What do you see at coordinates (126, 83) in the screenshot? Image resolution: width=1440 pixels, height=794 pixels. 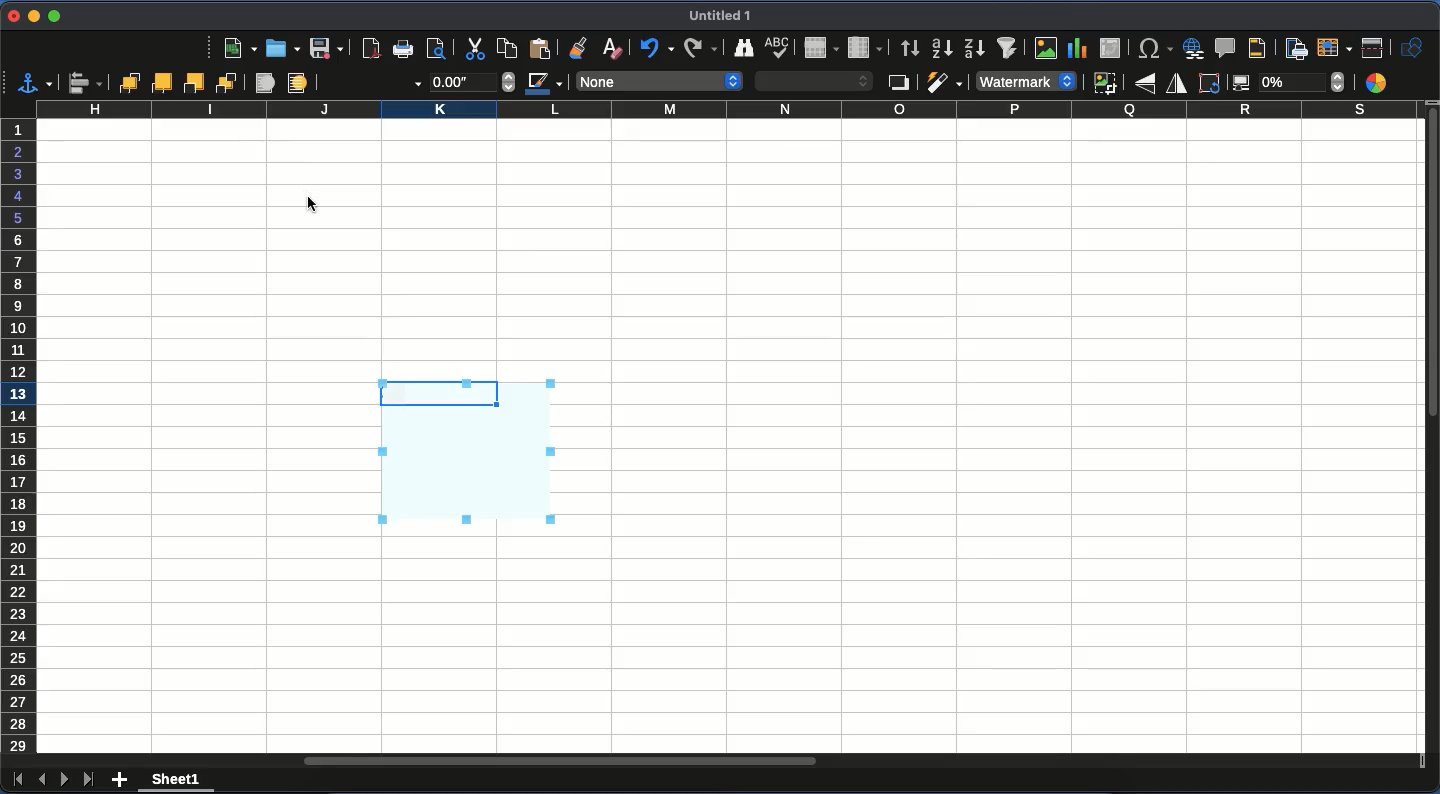 I see `bring to front` at bounding box center [126, 83].